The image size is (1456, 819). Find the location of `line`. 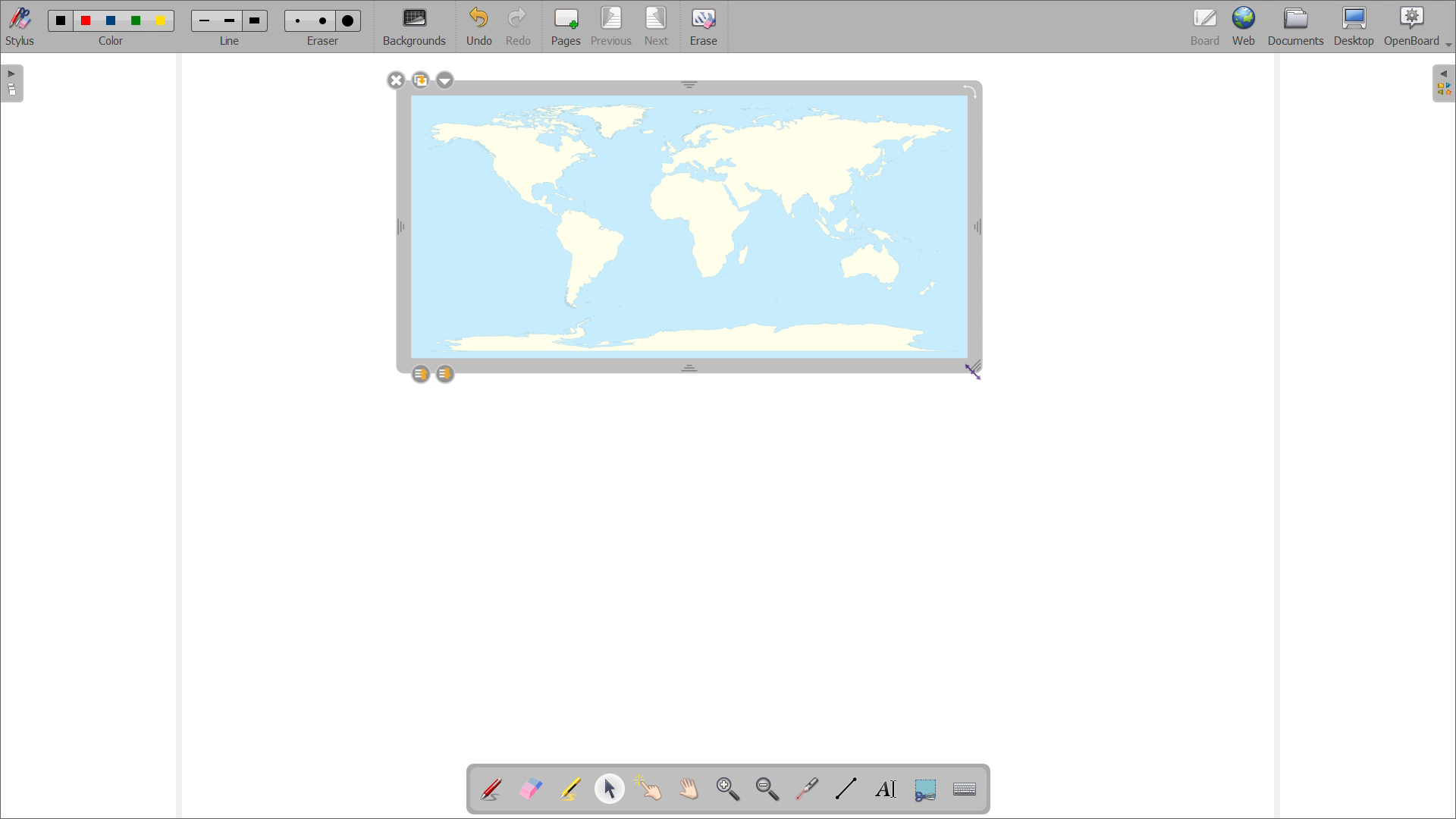

line is located at coordinates (230, 42).